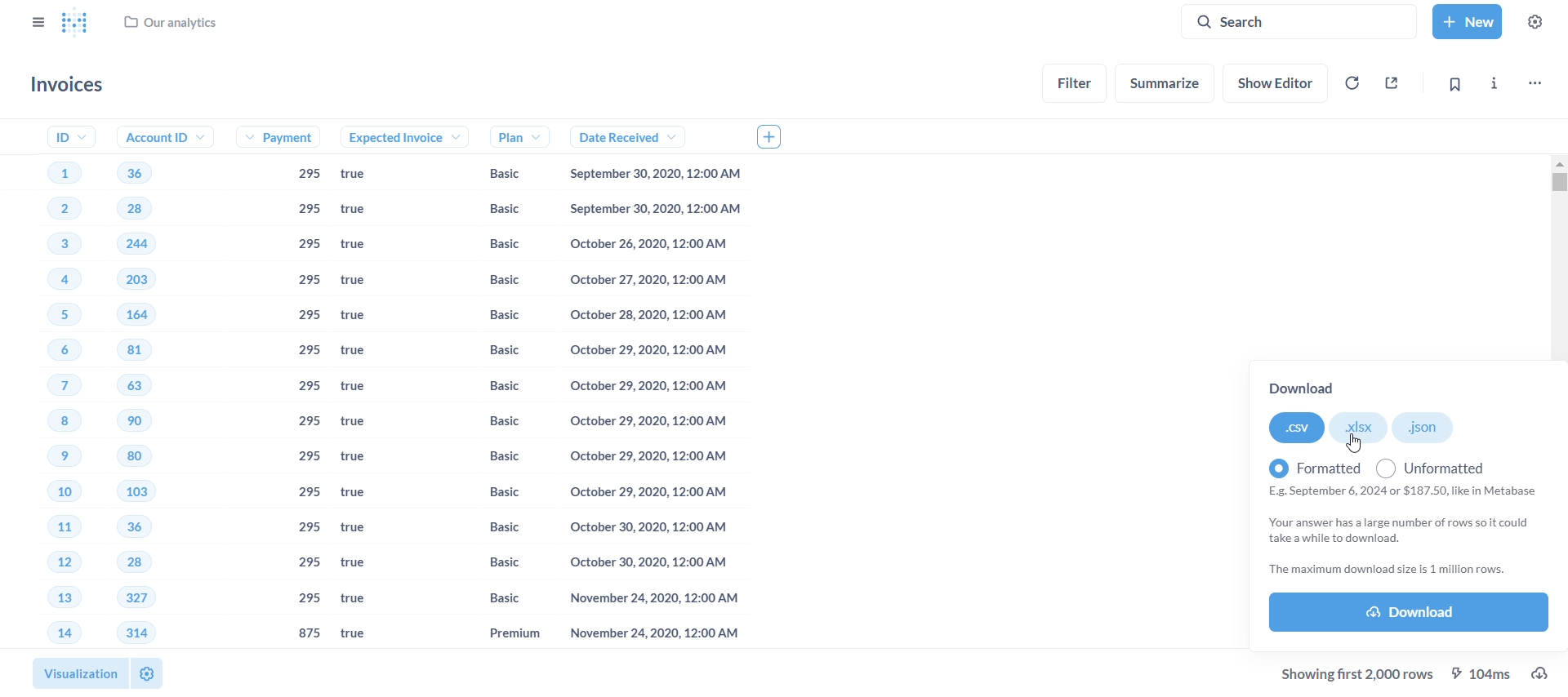 This screenshot has width=1568, height=697. I want to click on Basic, so click(492, 491).